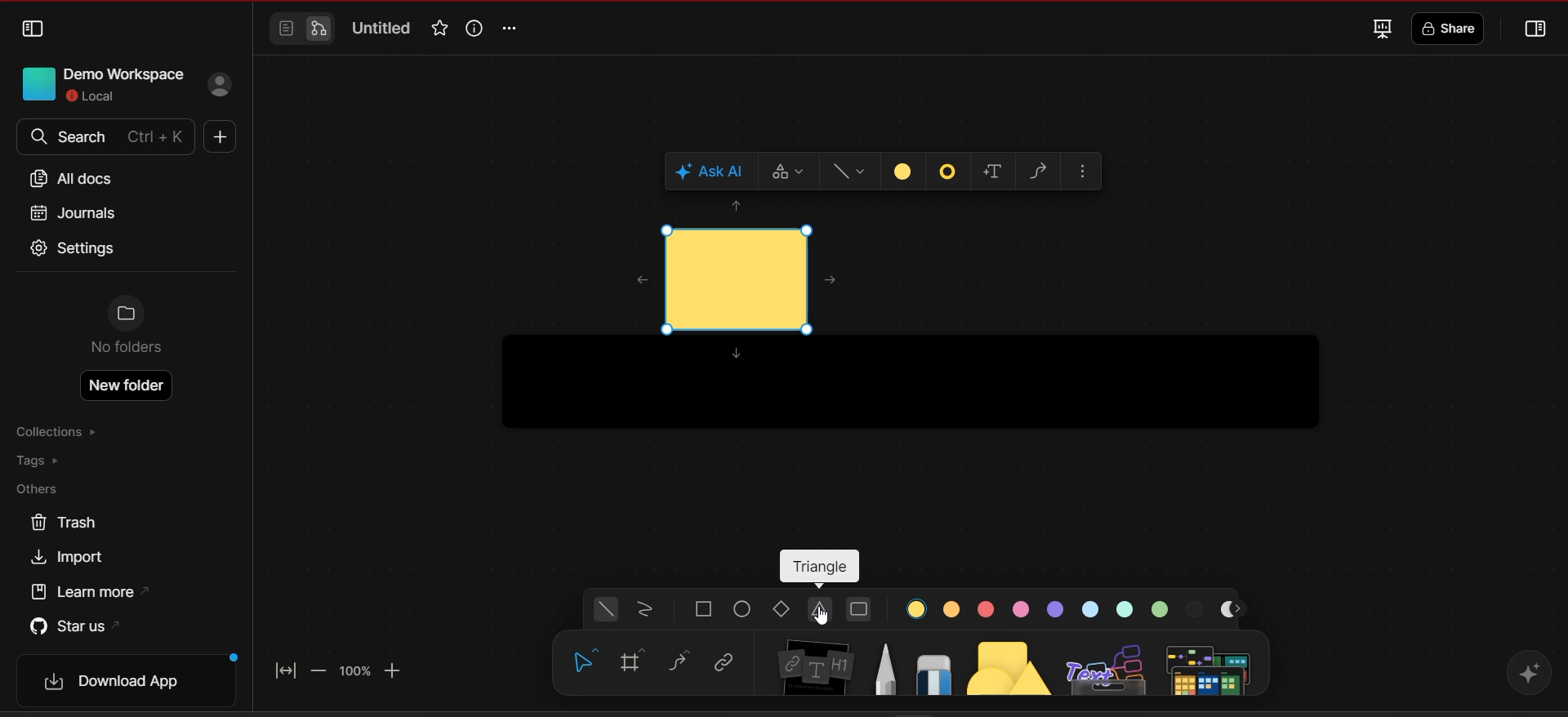 The width and height of the screenshot is (1568, 717). Describe the element at coordinates (885, 667) in the screenshot. I see `pen` at that location.